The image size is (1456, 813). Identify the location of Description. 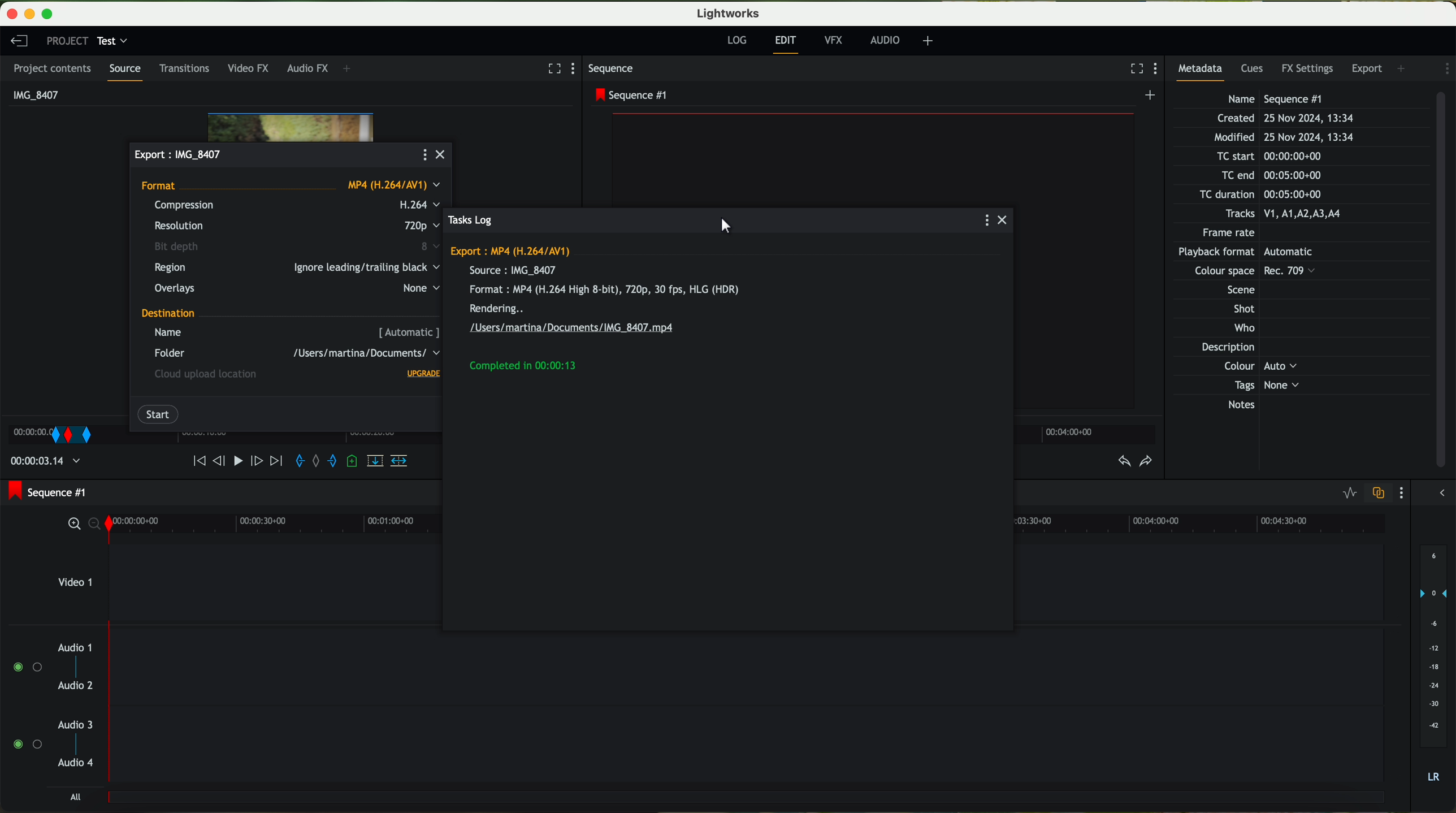
(1241, 348).